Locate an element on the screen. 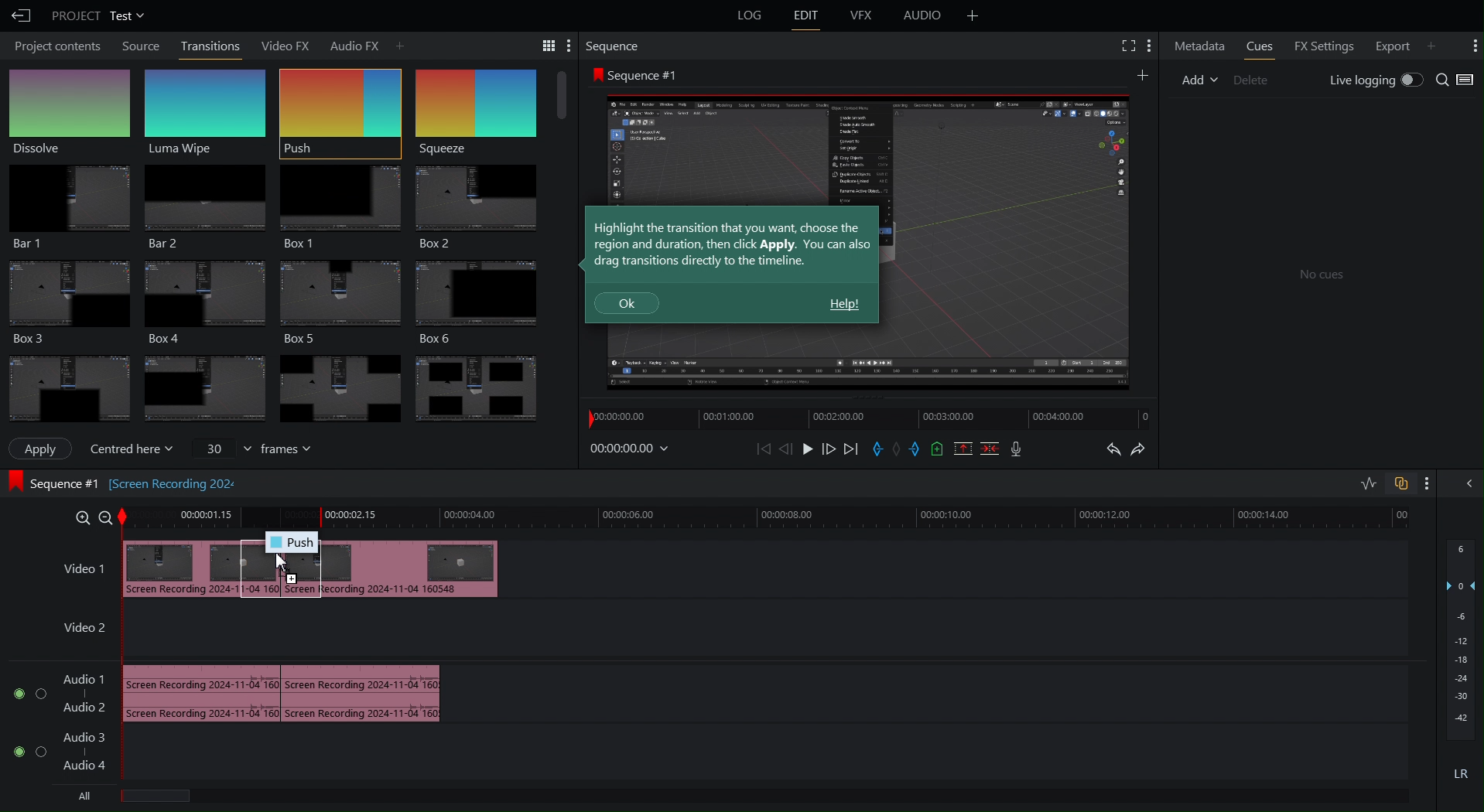 This screenshot has height=812, width=1484. Skip Forward is located at coordinates (850, 450).